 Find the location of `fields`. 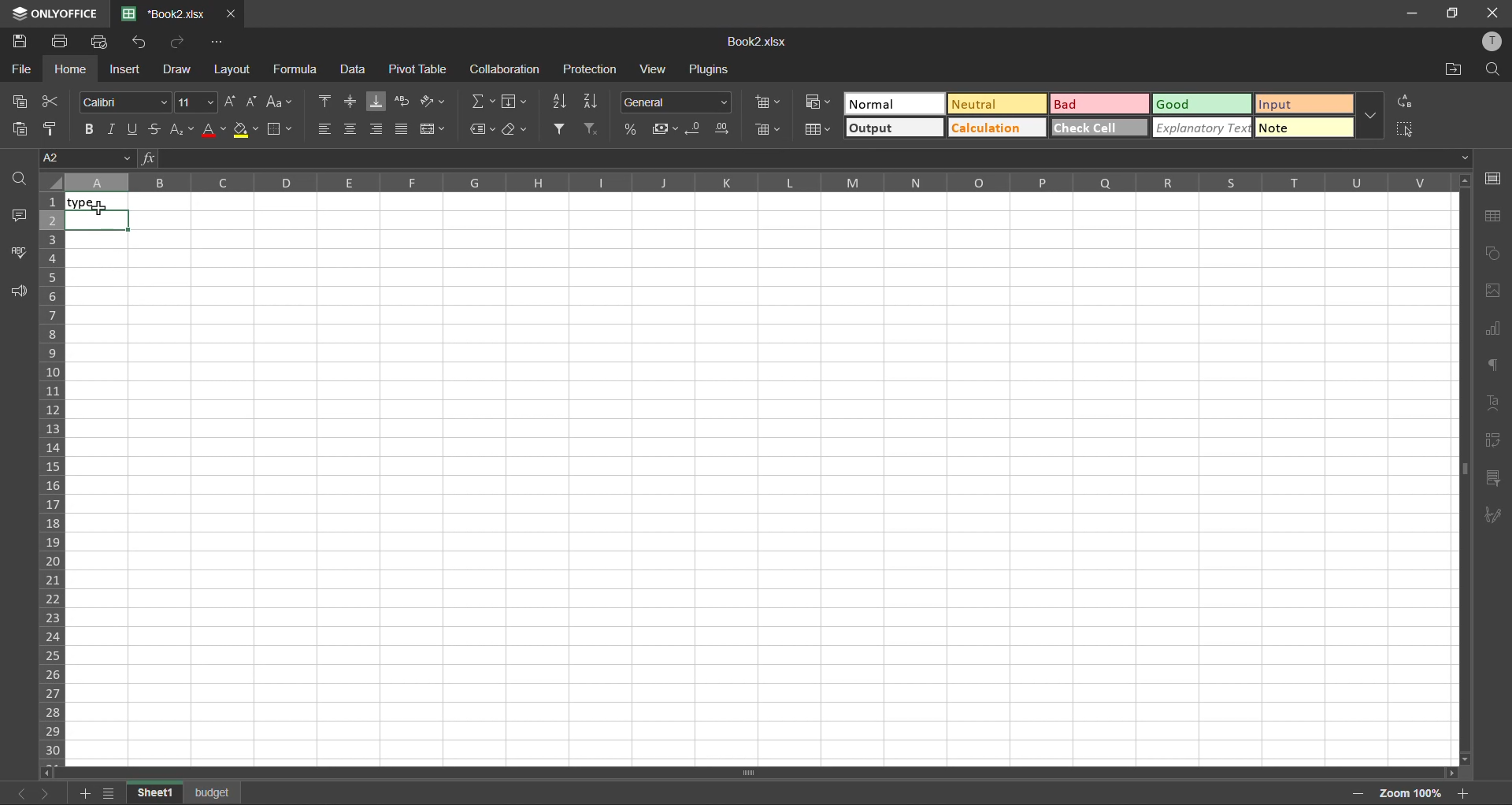

fields is located at coordinates (515, 102).